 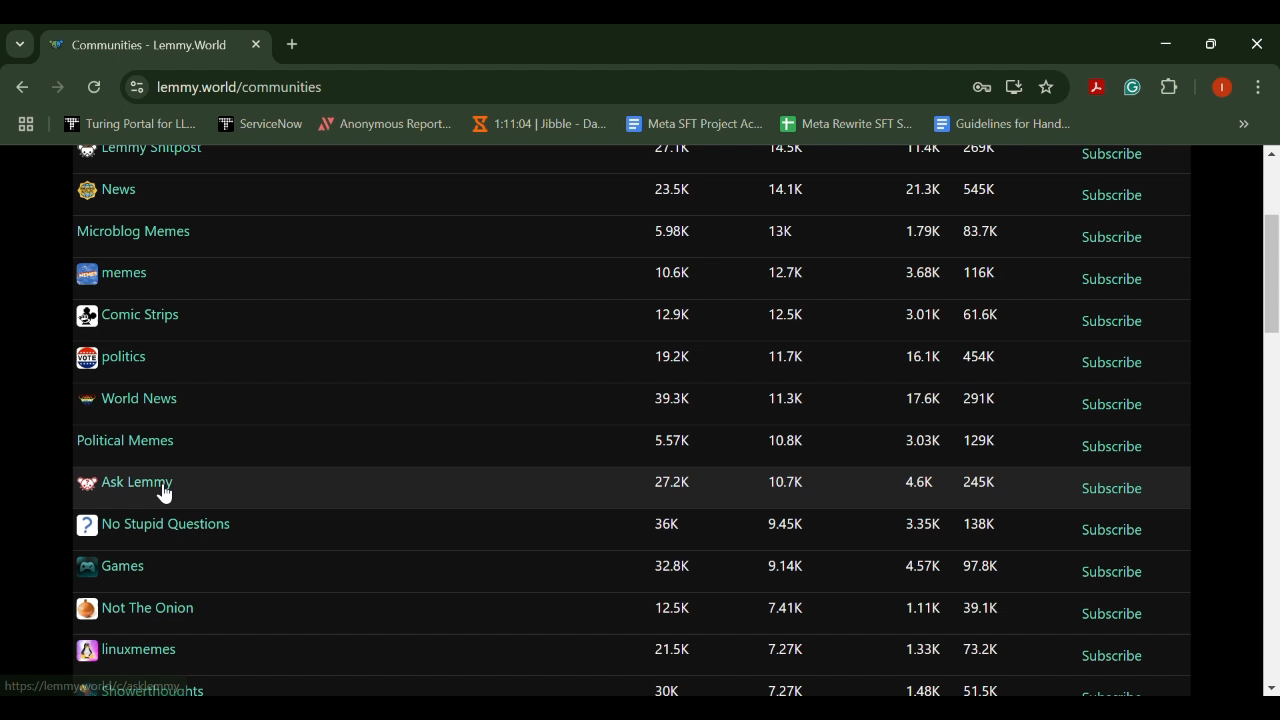 I want to click on Meta SFT Project Ac..., so click(x=693, y=125).